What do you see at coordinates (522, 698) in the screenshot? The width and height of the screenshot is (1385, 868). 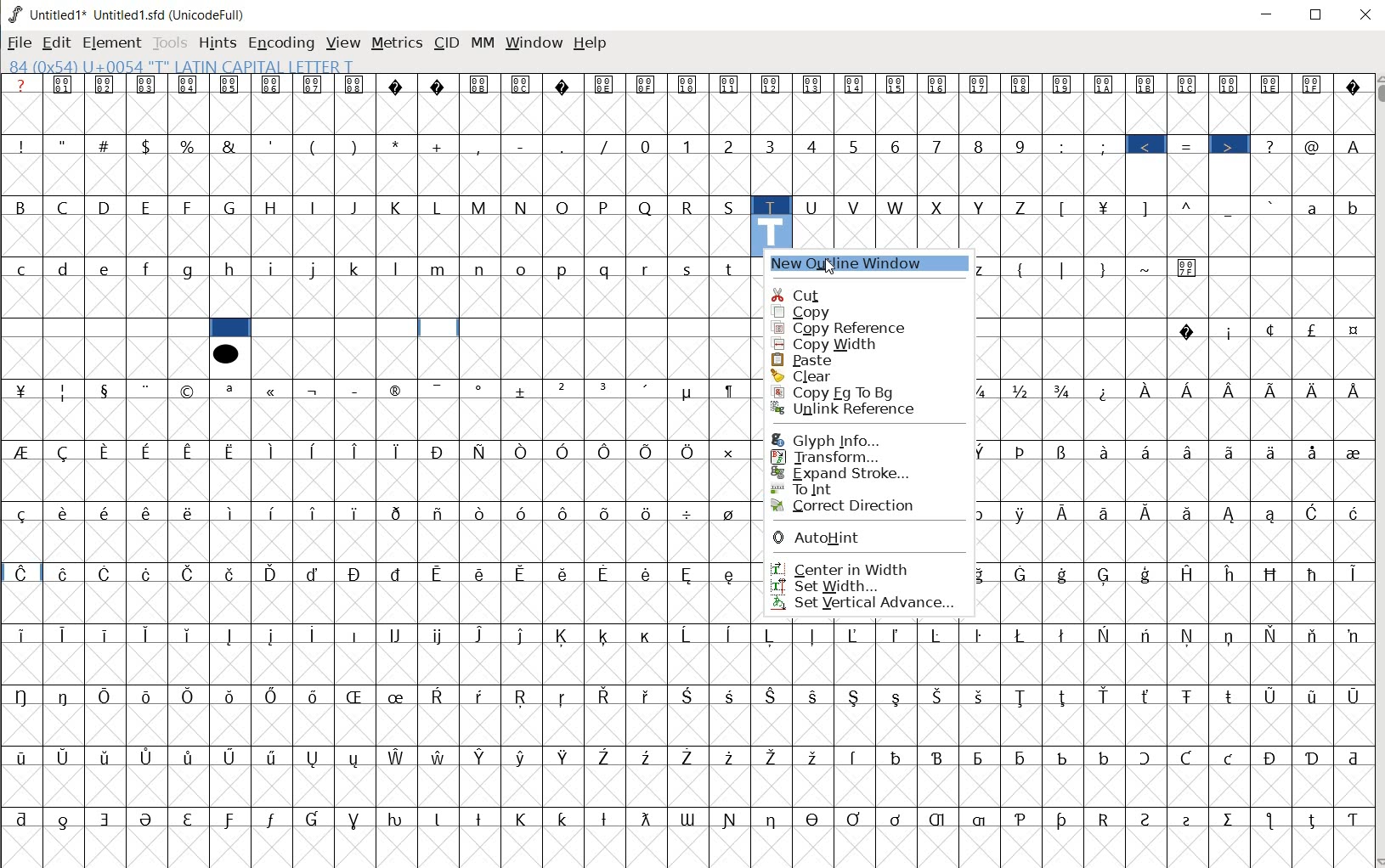 I see `Symbol` at bounding box center [522, 698].